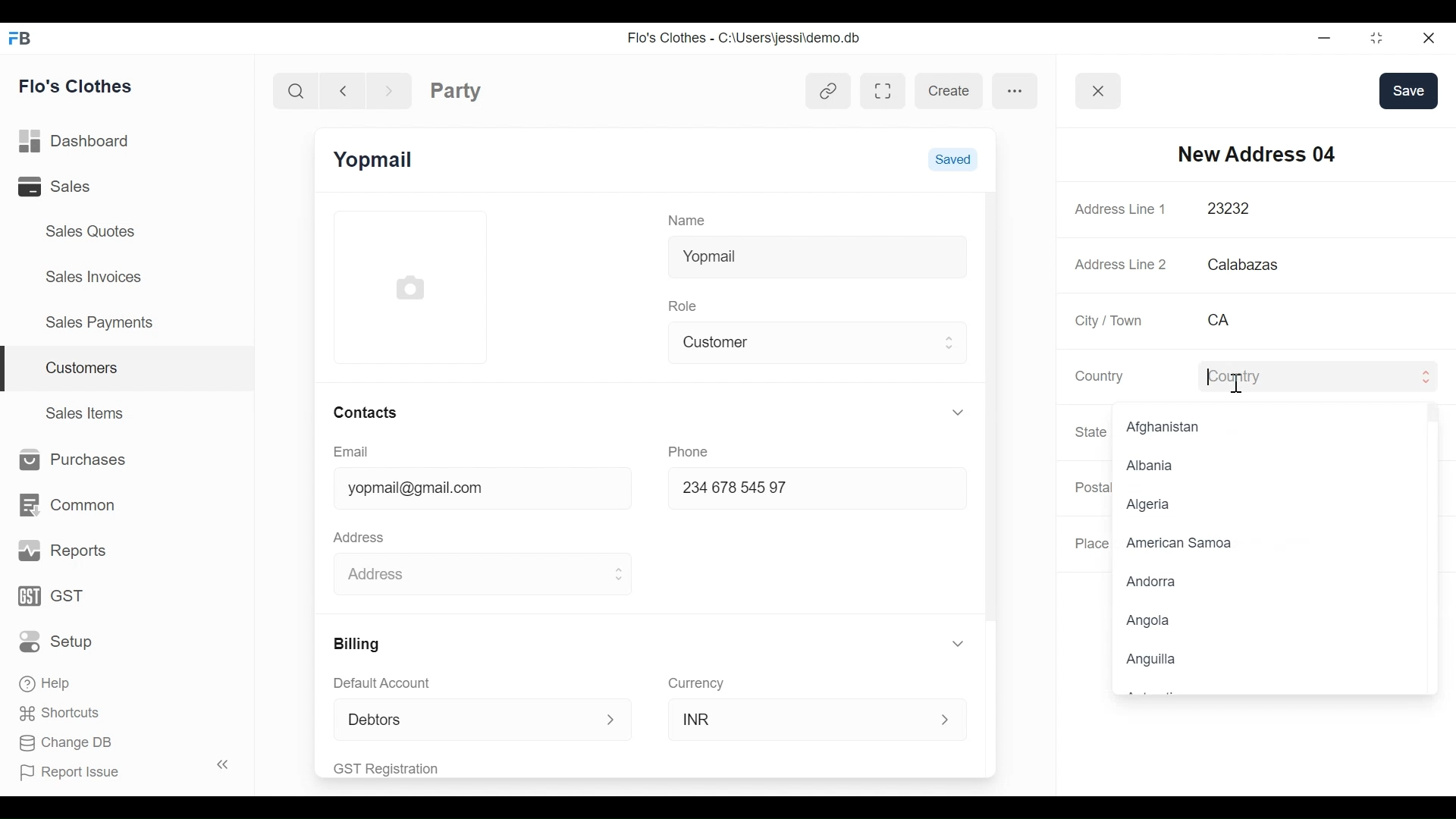 The image size is (1456, 819). Describe the element at coordinates (828, 93) in the screenshot. I see `View linked entries` at that location.